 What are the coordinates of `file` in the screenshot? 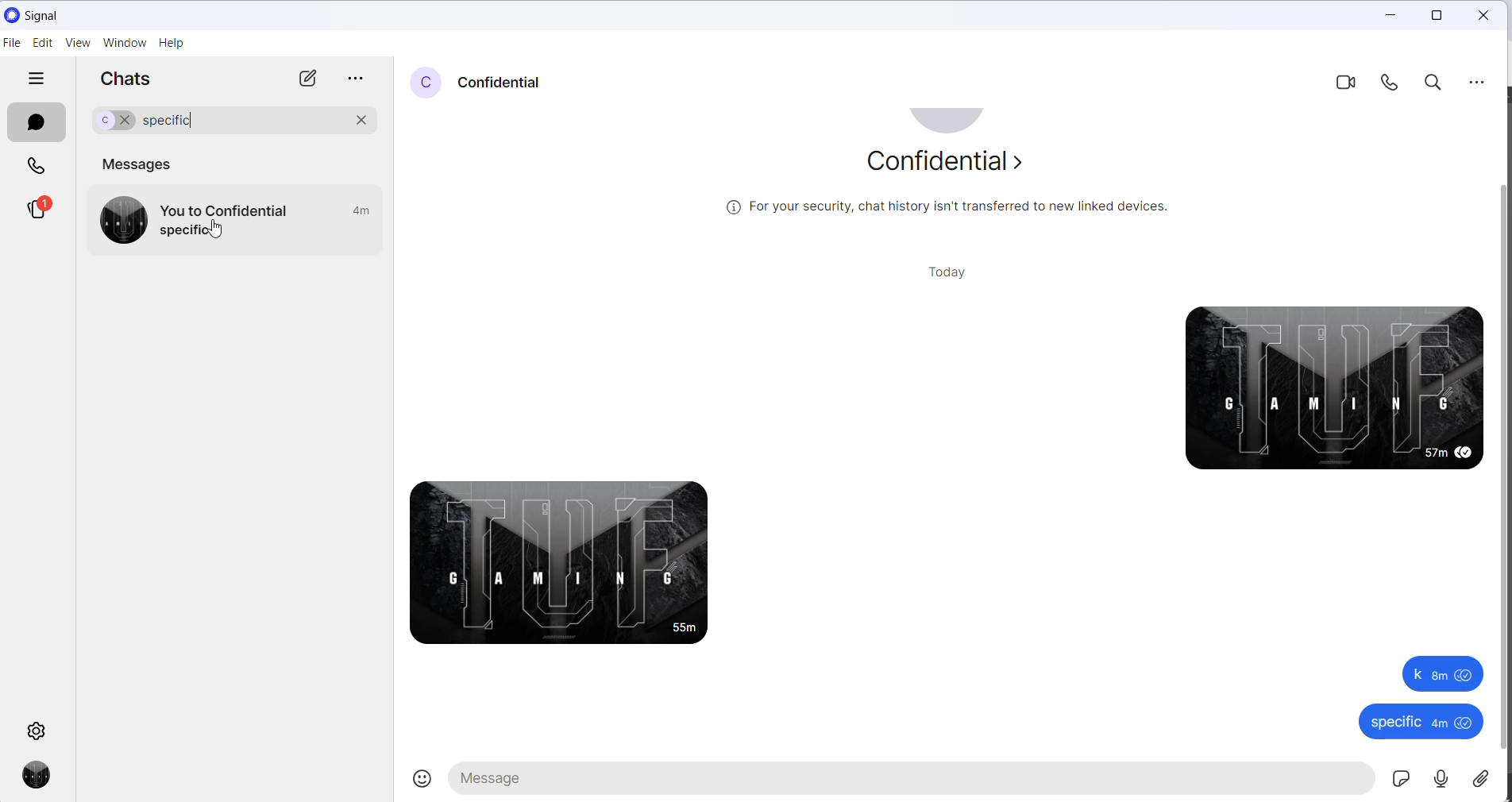 It's located at (12, 44).